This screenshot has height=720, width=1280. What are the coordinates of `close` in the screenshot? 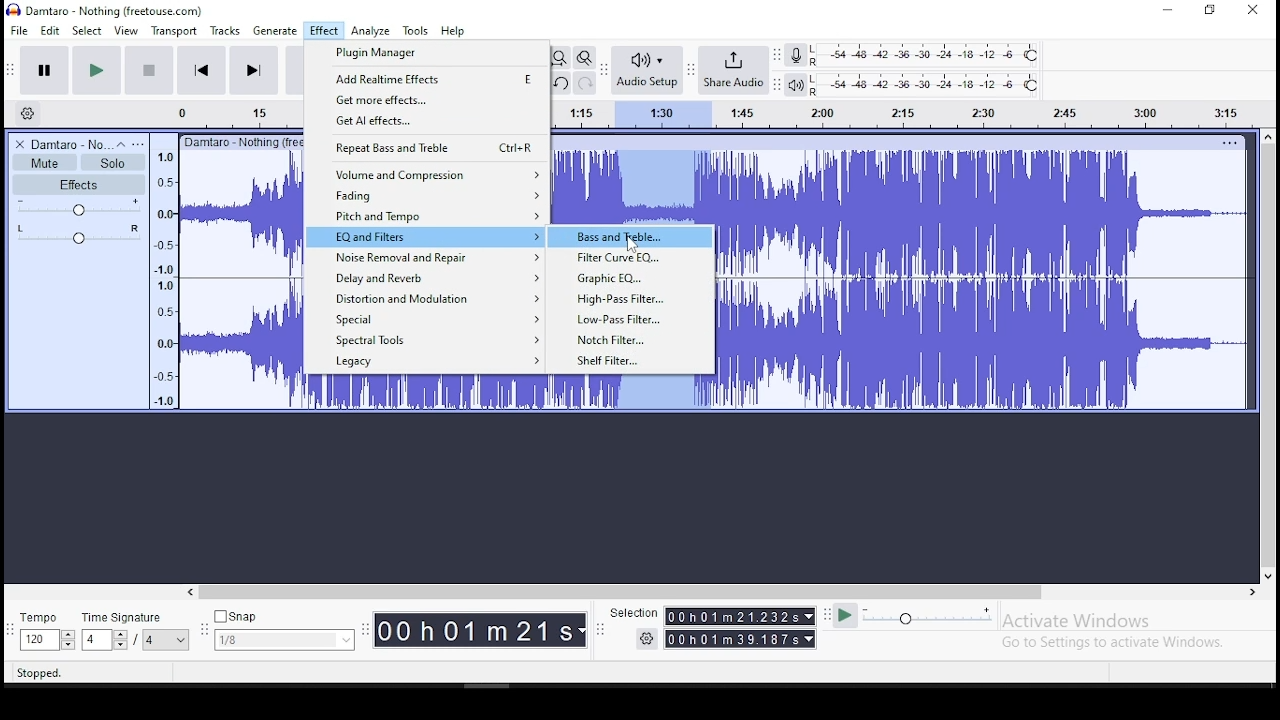 It's located at (1252, 11).